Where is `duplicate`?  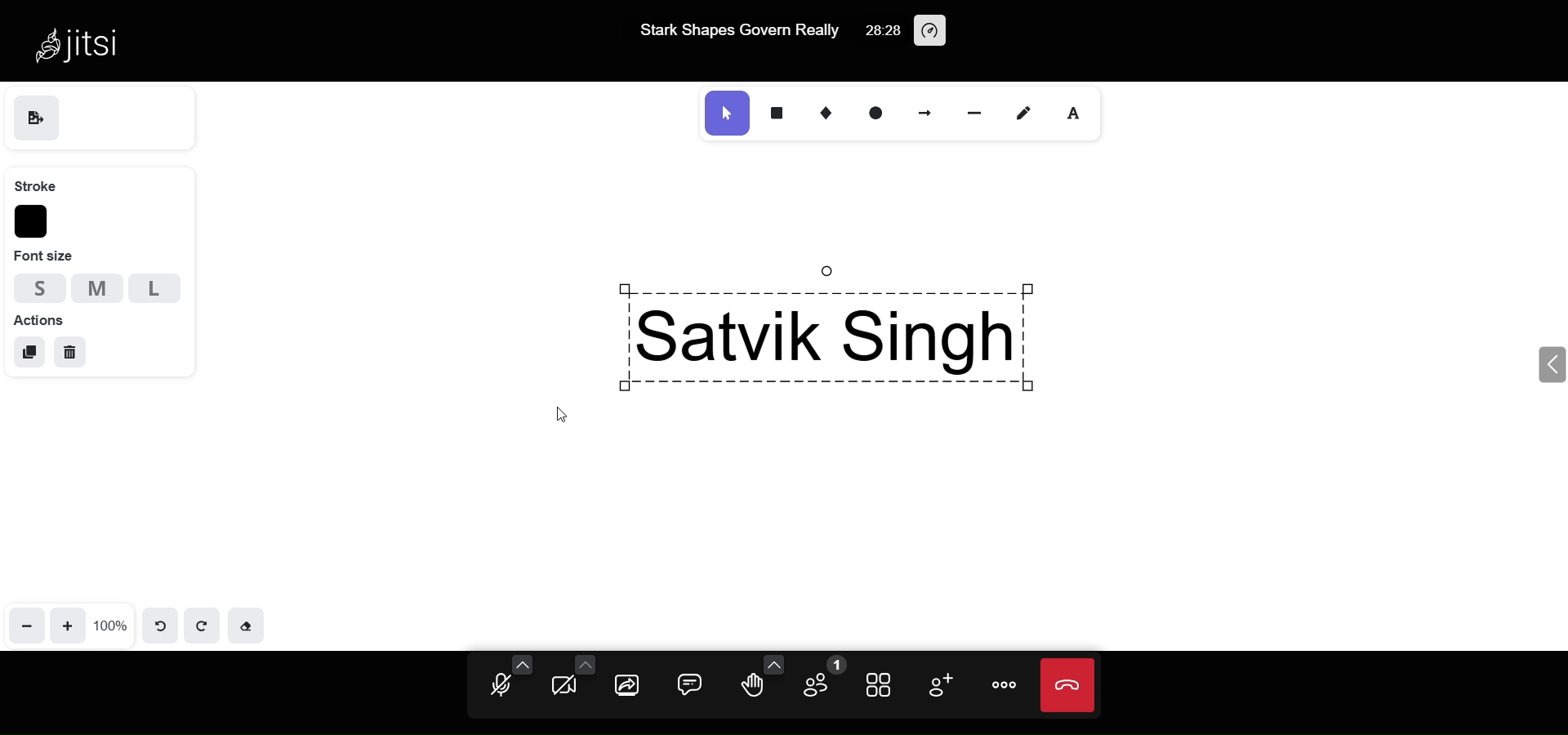 duplicate is located at coordinates (28, 352).